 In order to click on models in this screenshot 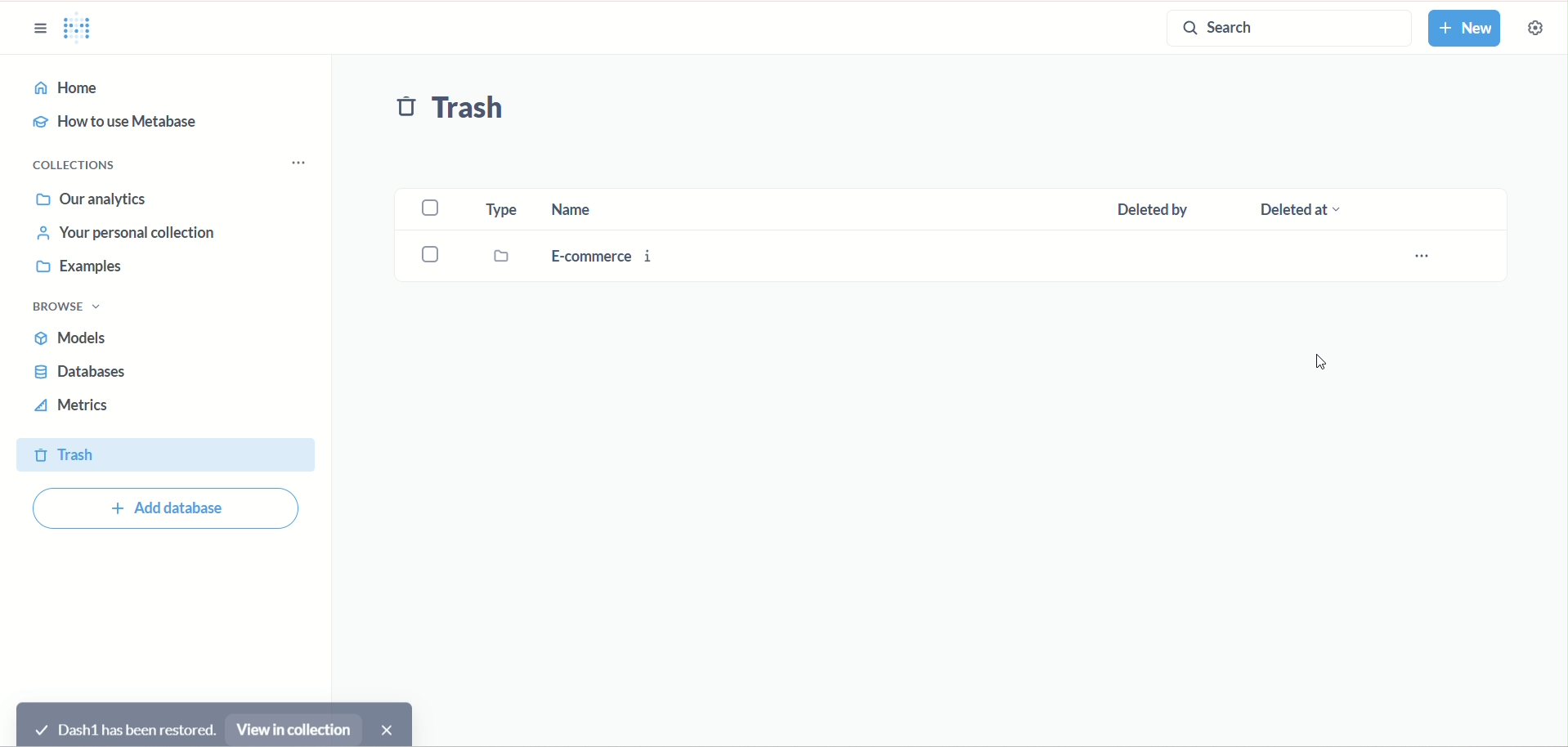, I will do `click(75, 340)`.